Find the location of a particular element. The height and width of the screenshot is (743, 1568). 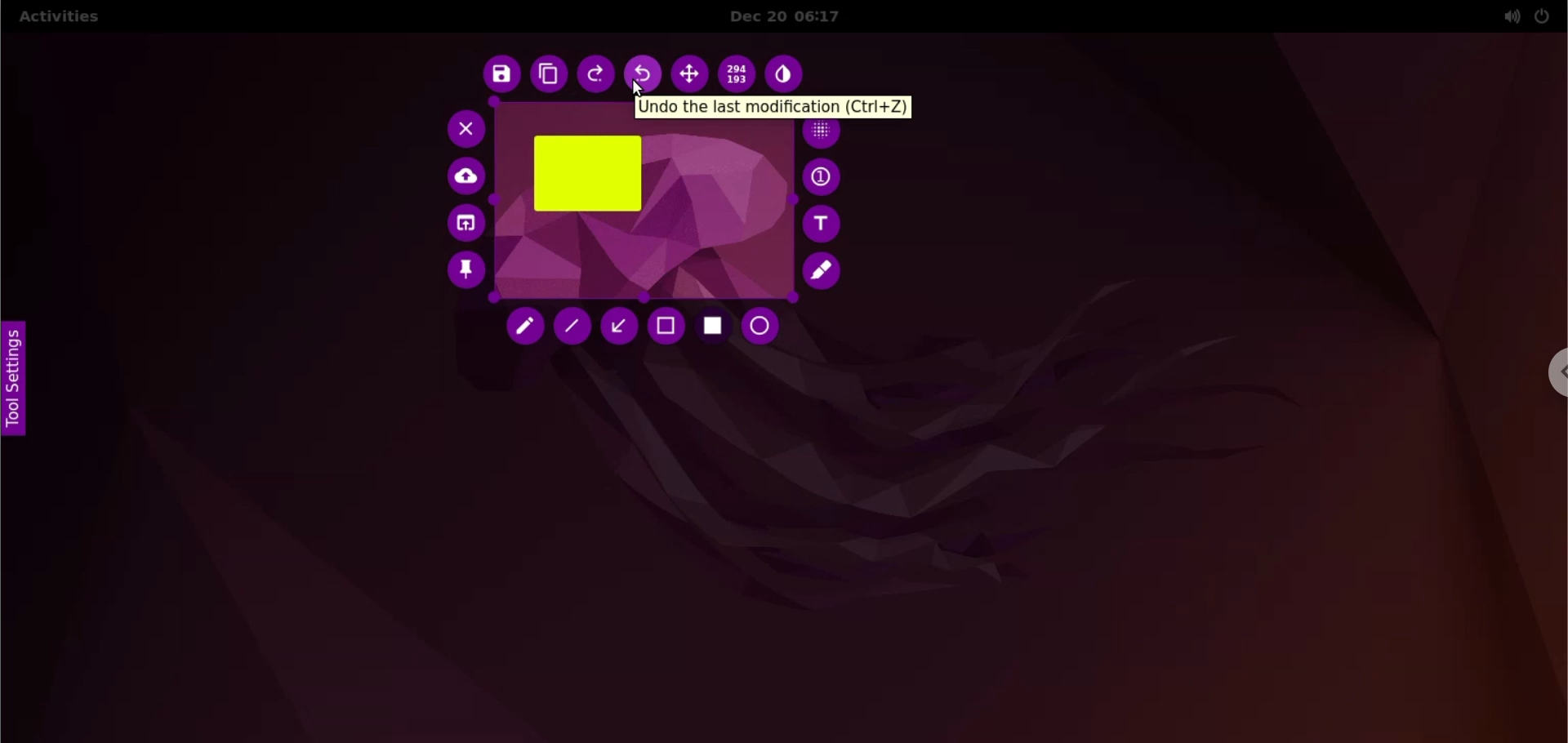

selection tool is located at coordinates (667, 327).